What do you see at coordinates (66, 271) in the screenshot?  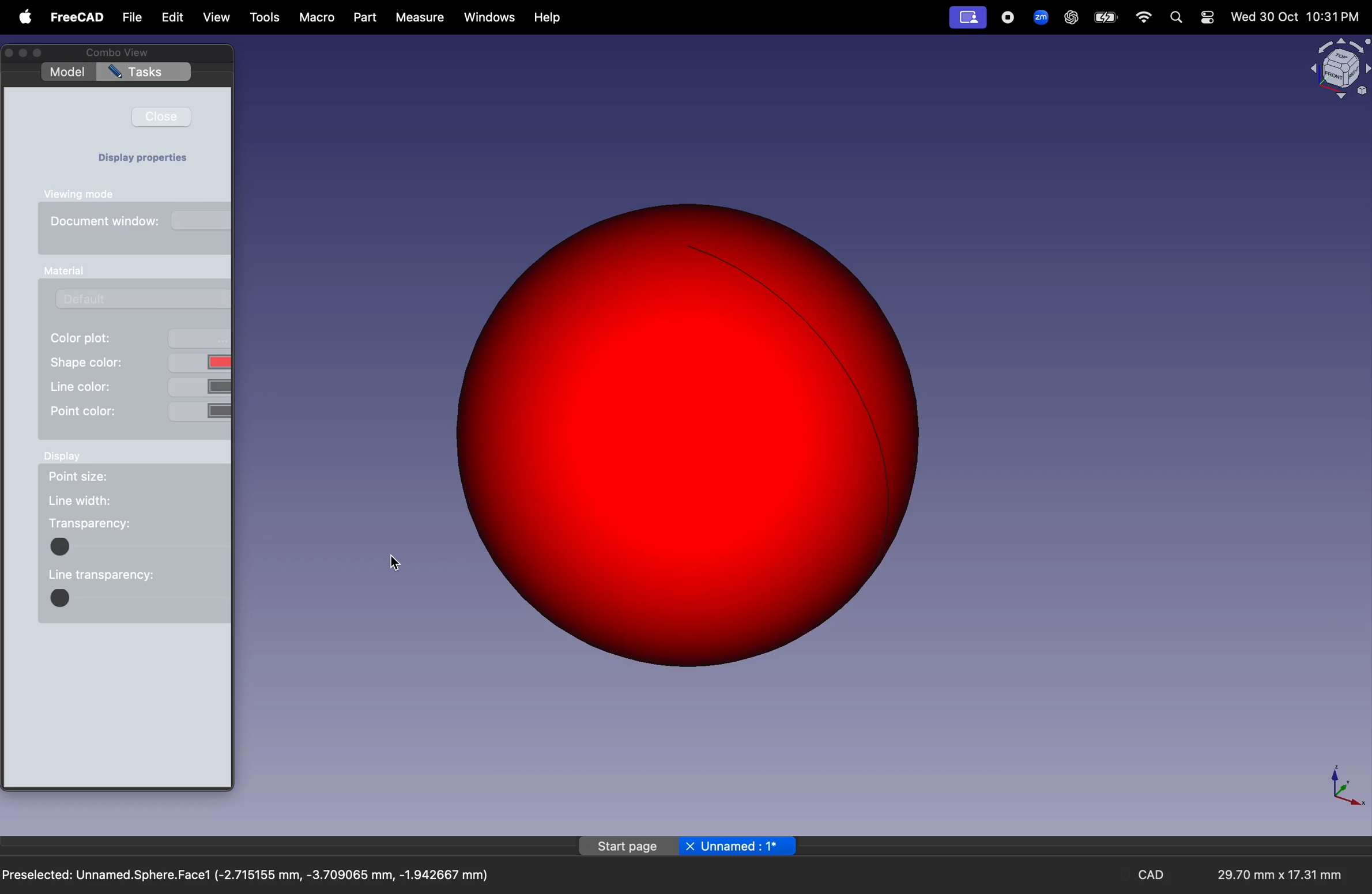 I see `manual` at bounding box center [66, 271].